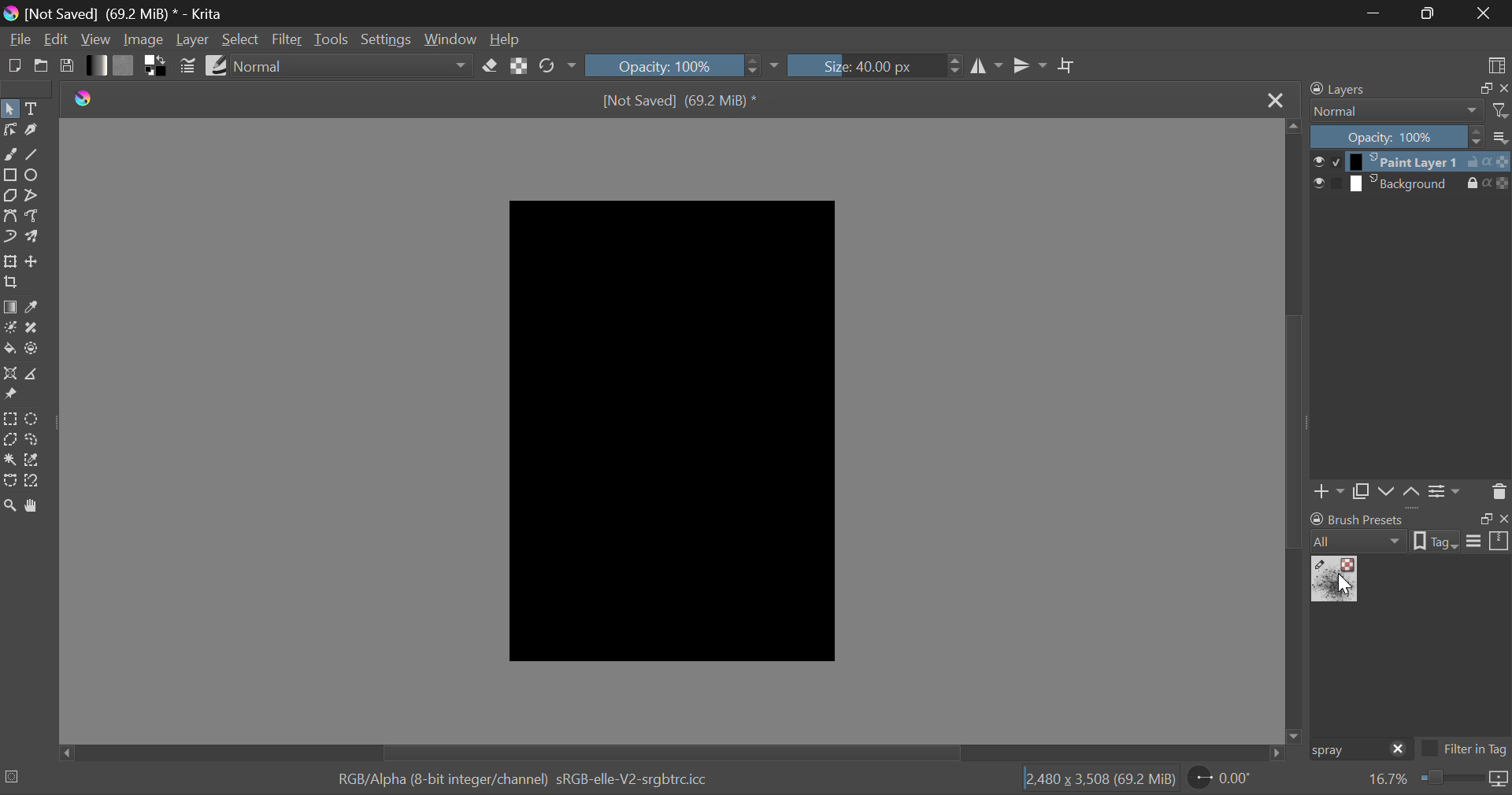  Describe the element at coordinates (10, 329) in the screenshot. I see `Colorize Mask Tool` at that location.